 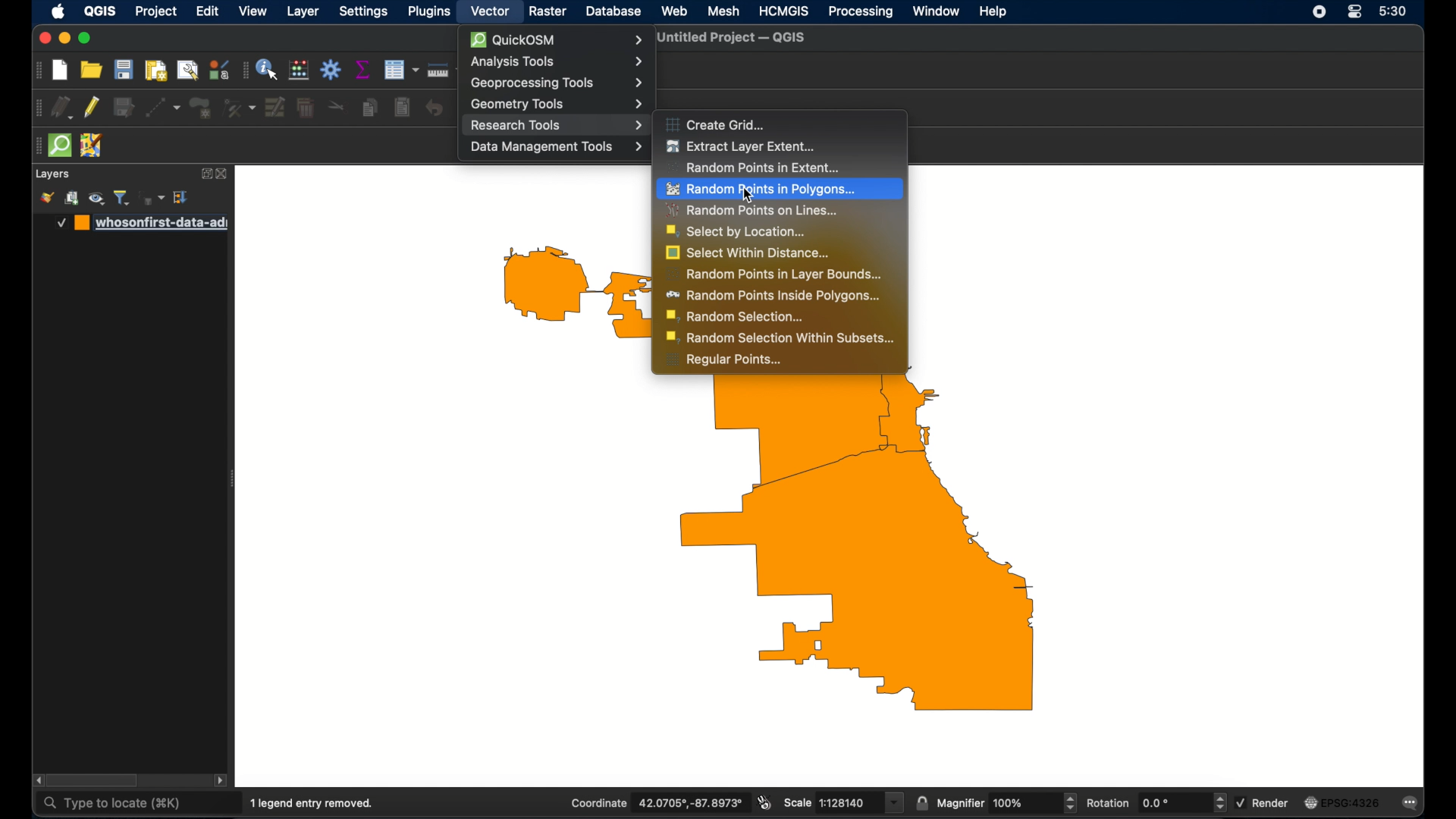 I want to click on style manager, so click(x=220, y=68).